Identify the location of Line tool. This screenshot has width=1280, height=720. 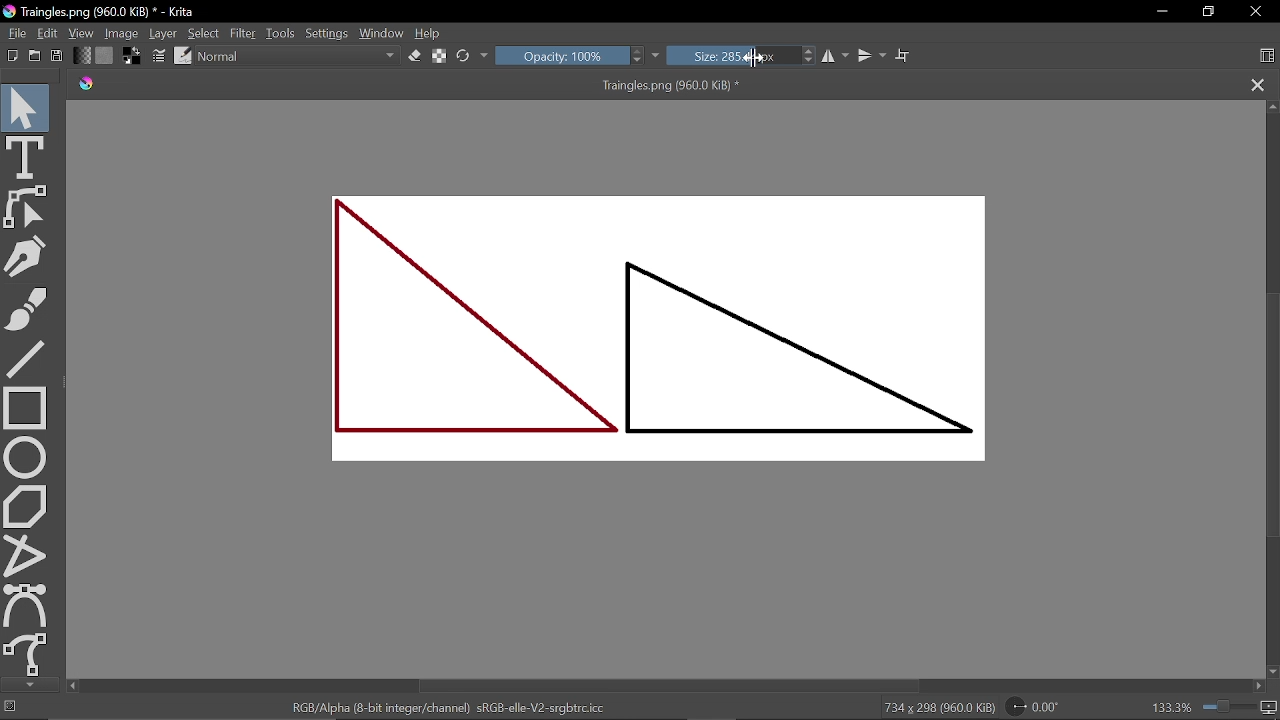
(31, 361).